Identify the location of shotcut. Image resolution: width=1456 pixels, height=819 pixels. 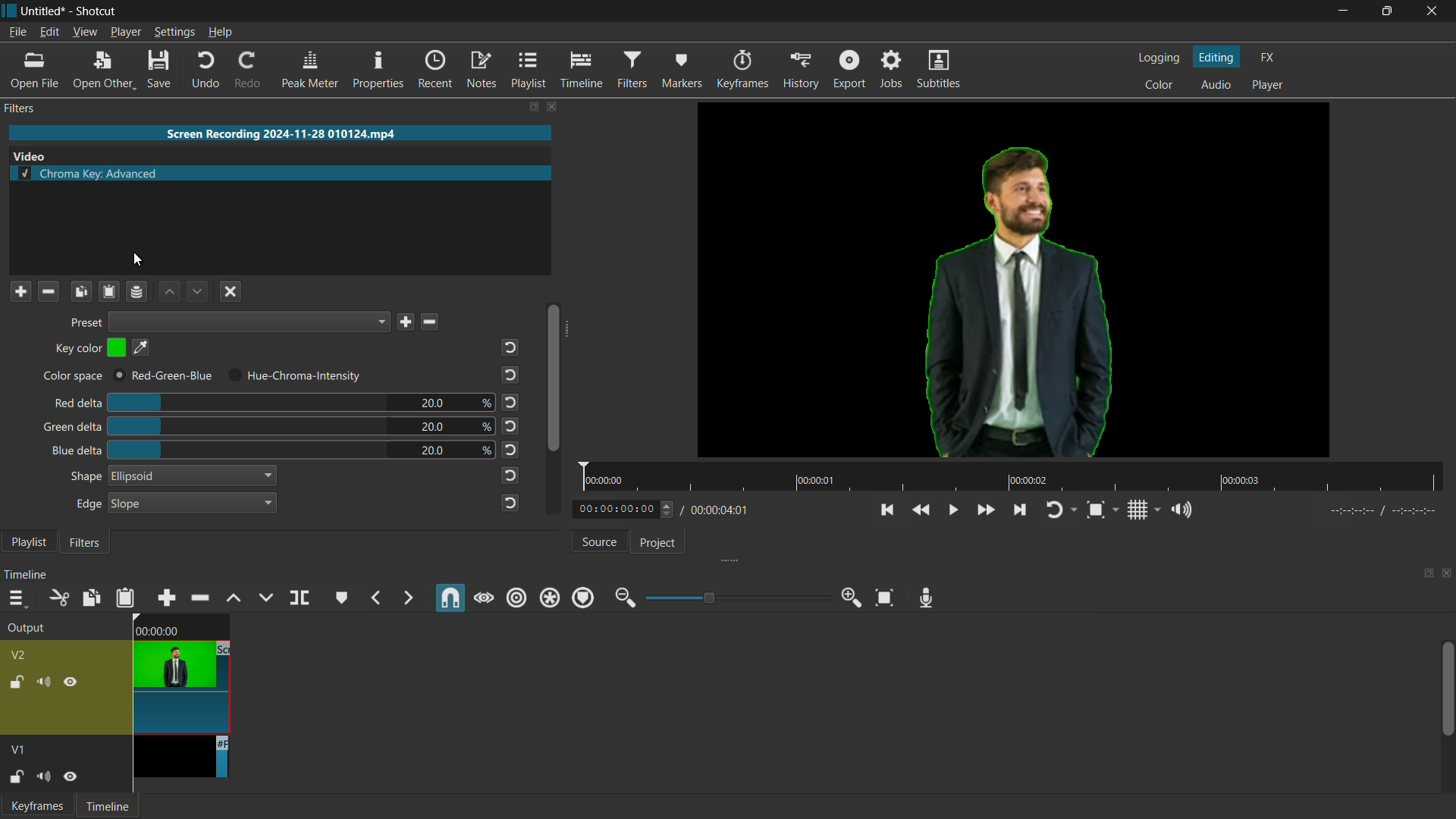
(96, 11).